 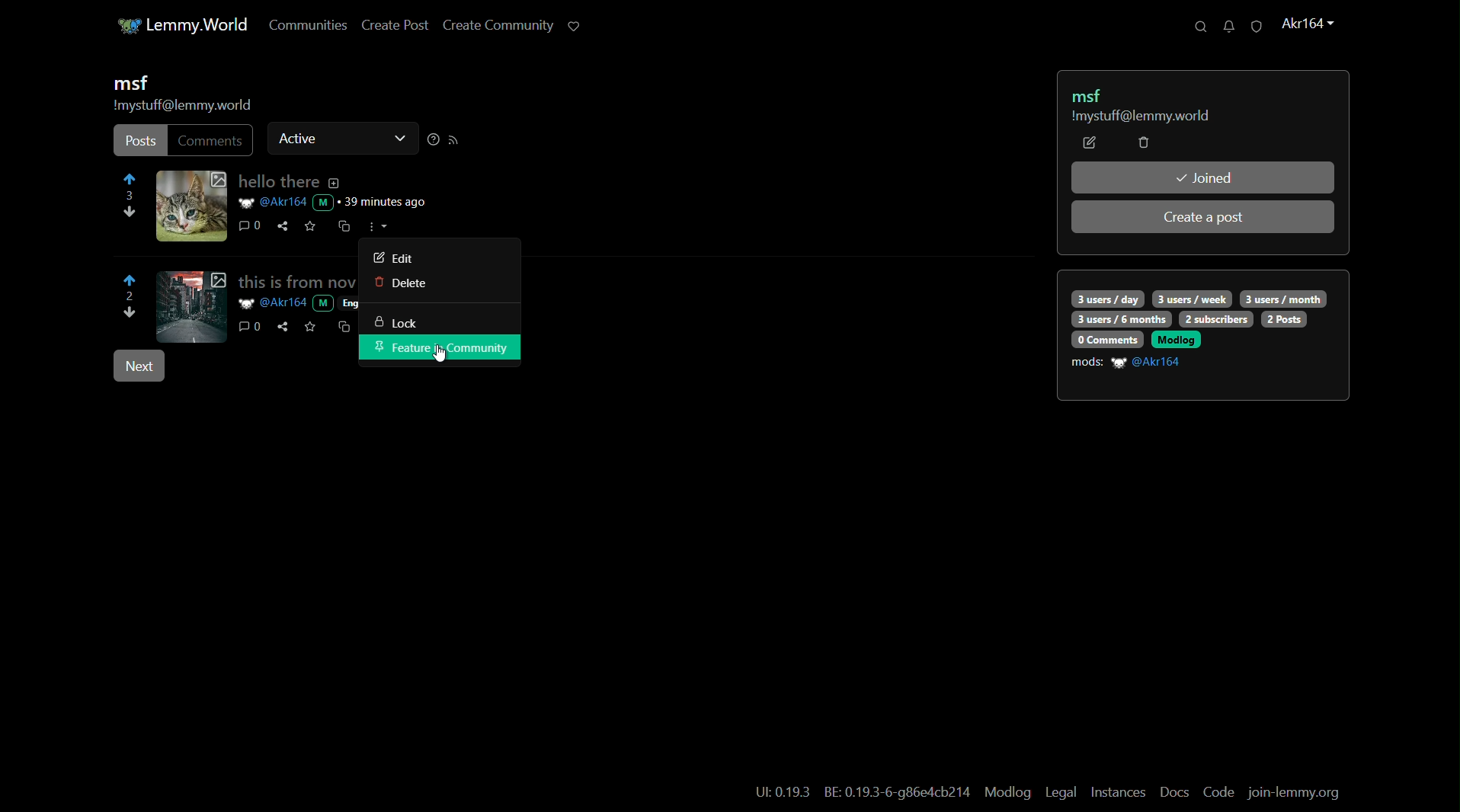 What do you see at coordinates (1090, 143) in the screenshot?
I see `edit` at bounding box center [1090, 143].